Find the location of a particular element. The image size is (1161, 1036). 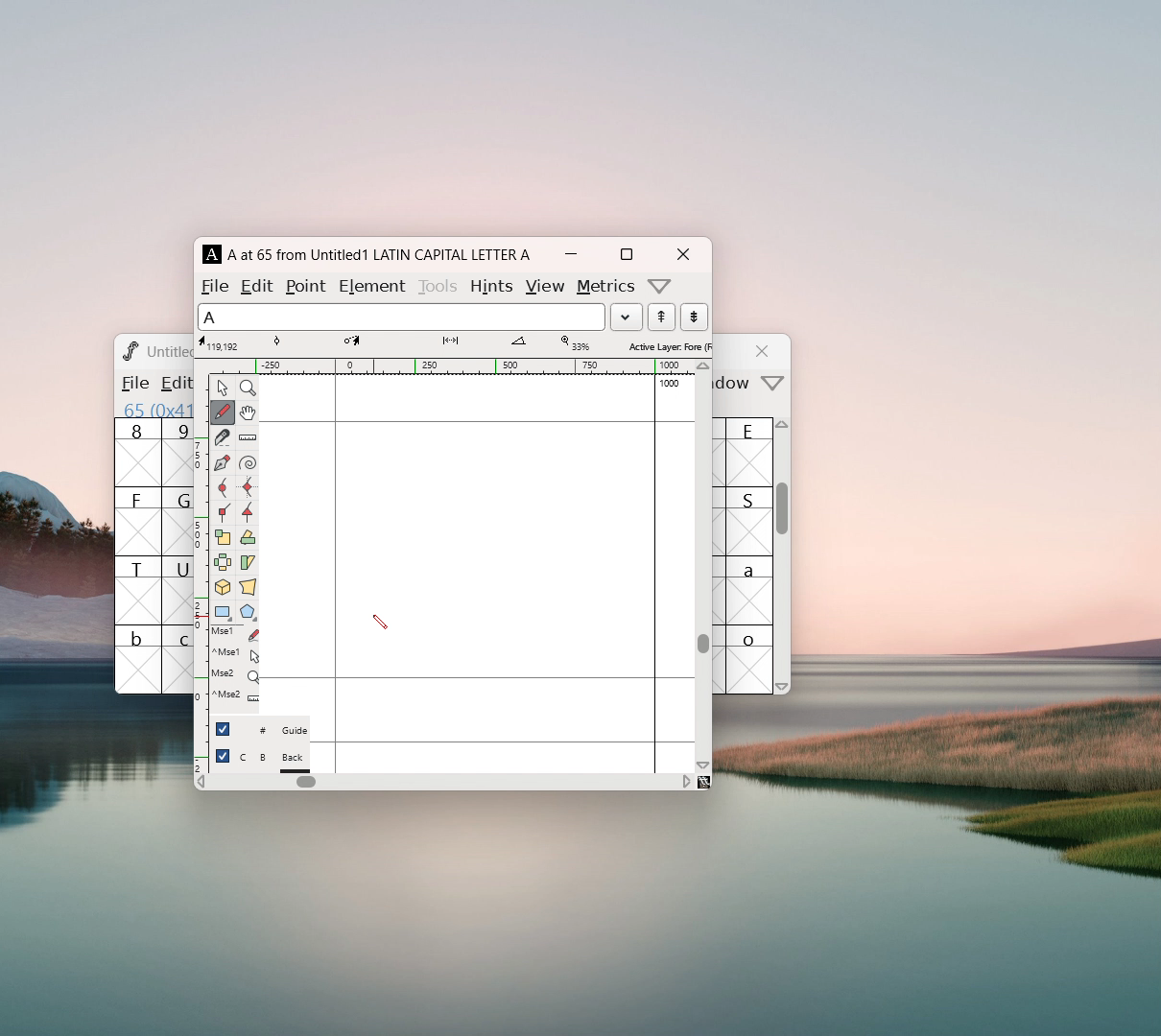

more options is located at coordinates (773, 385).